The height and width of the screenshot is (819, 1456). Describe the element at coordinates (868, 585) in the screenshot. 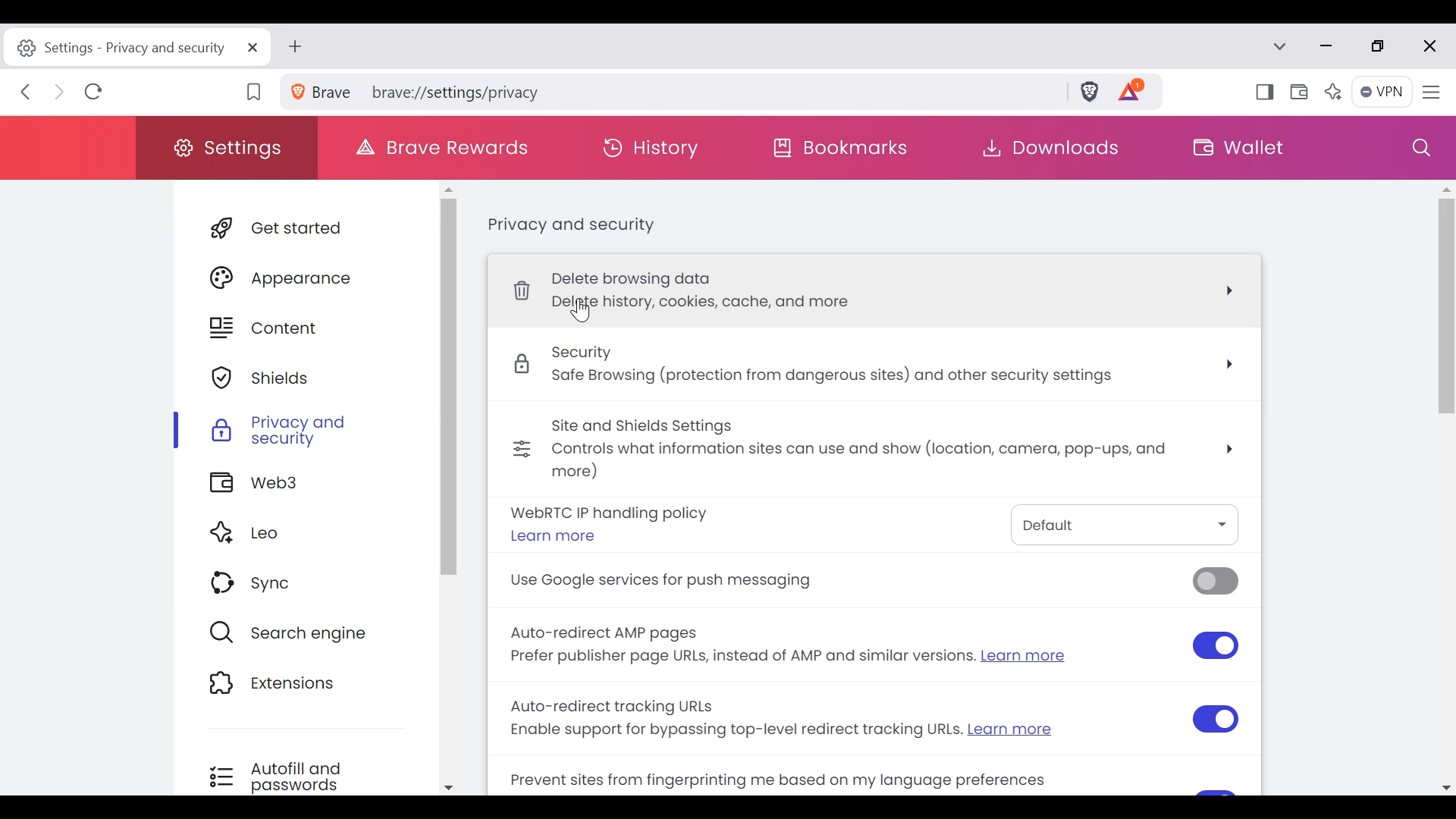

I see `Enable/Disable Use Google services for push messaging` at that location.